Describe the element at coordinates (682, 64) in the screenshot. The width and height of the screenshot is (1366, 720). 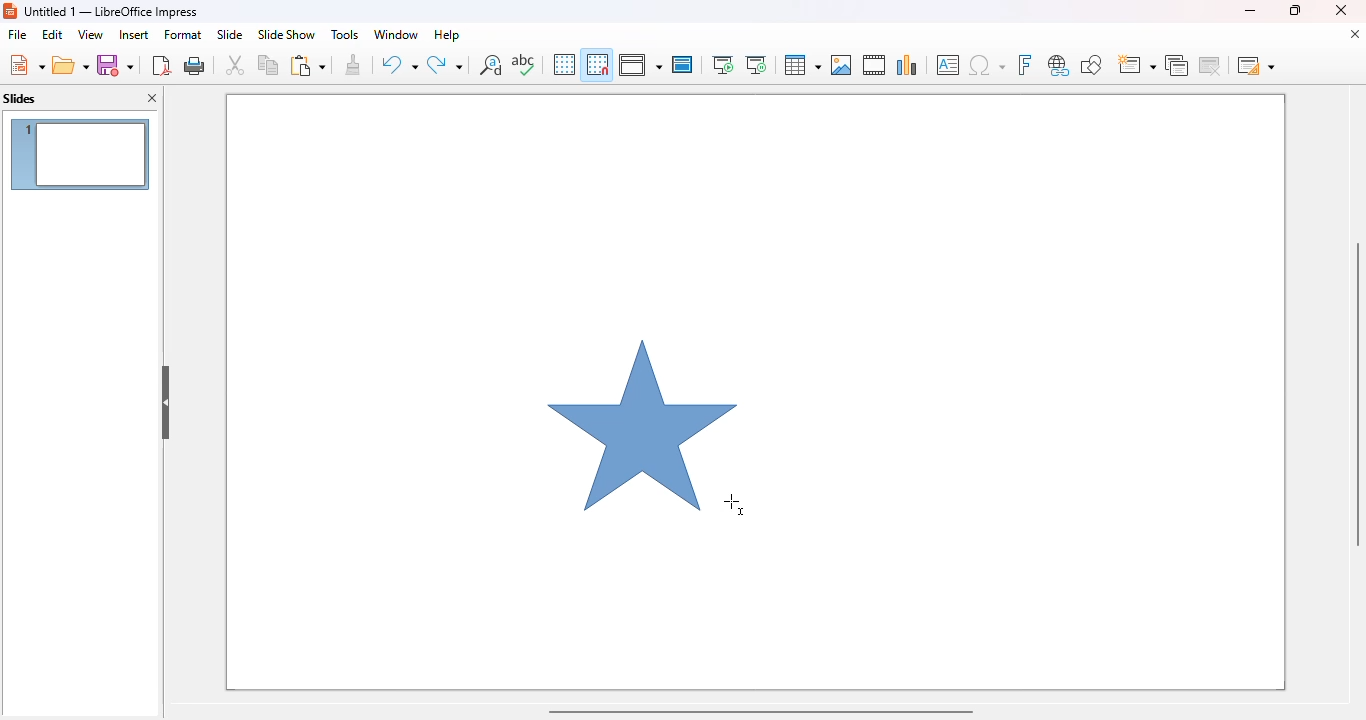
I see `master slide` at that location.